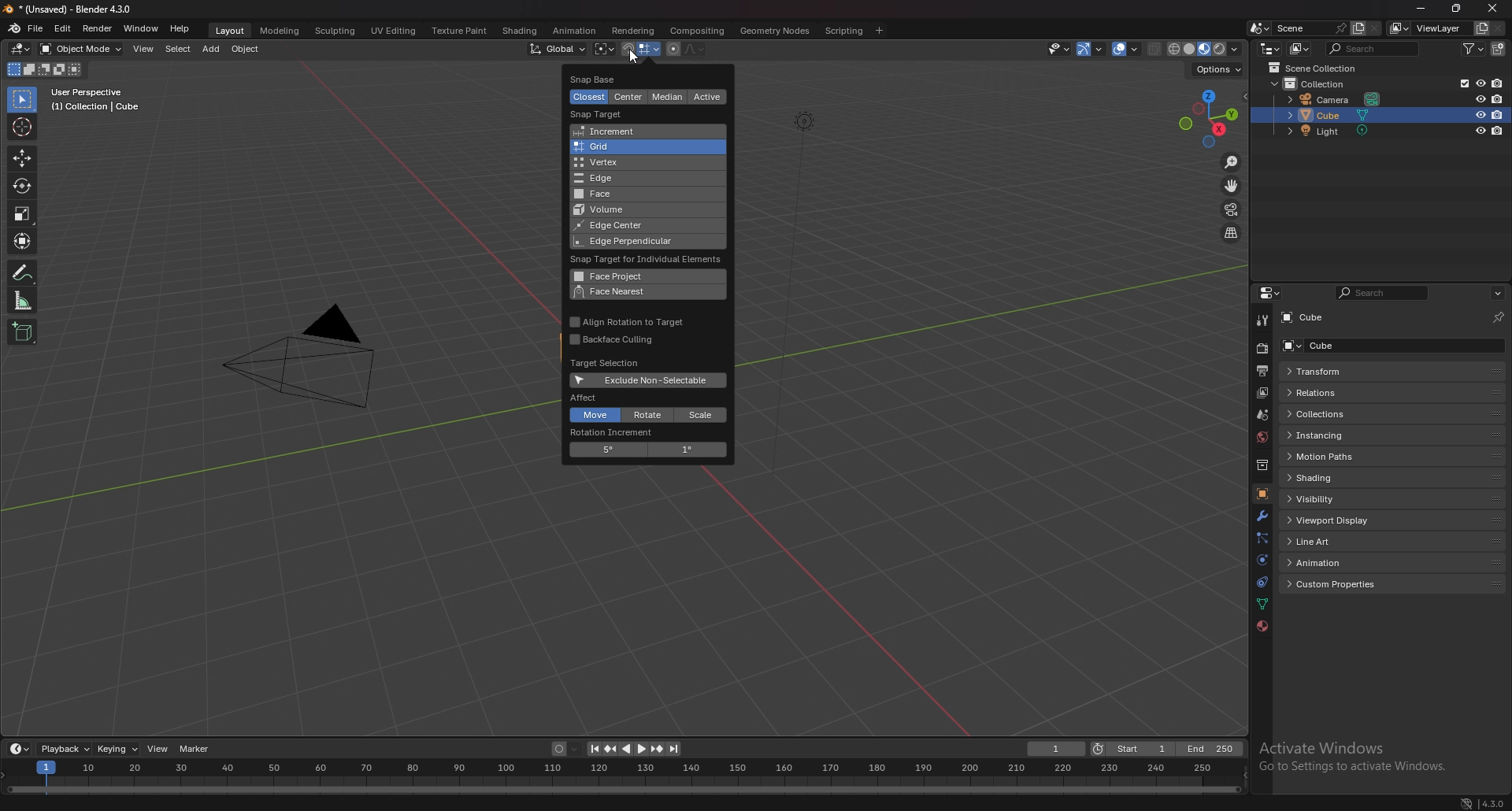  Describe the element at coordinates (24, 240) in the screenshot. I see `transform` at that location.